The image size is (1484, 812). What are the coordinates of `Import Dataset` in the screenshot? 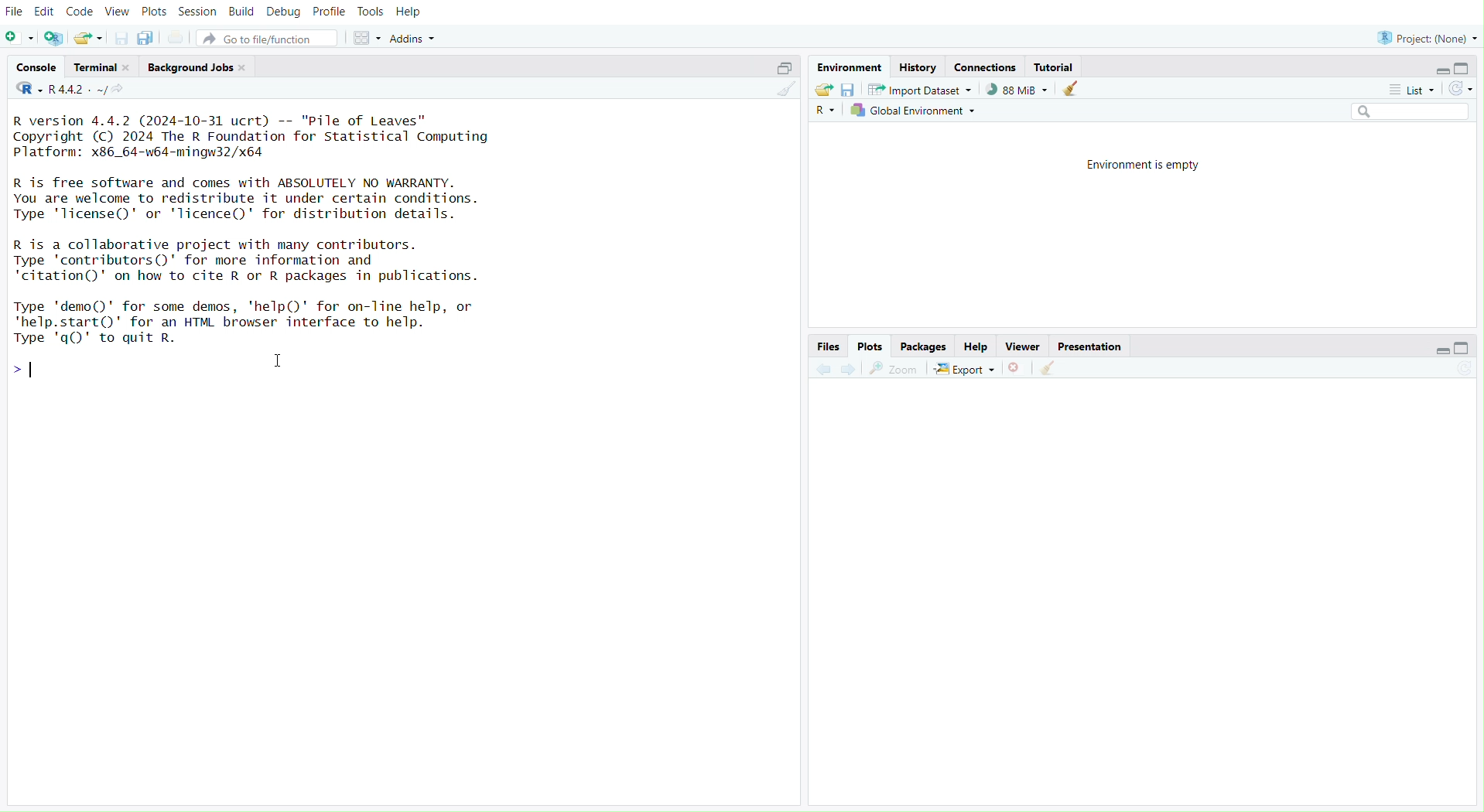 It's located at (918, 88).